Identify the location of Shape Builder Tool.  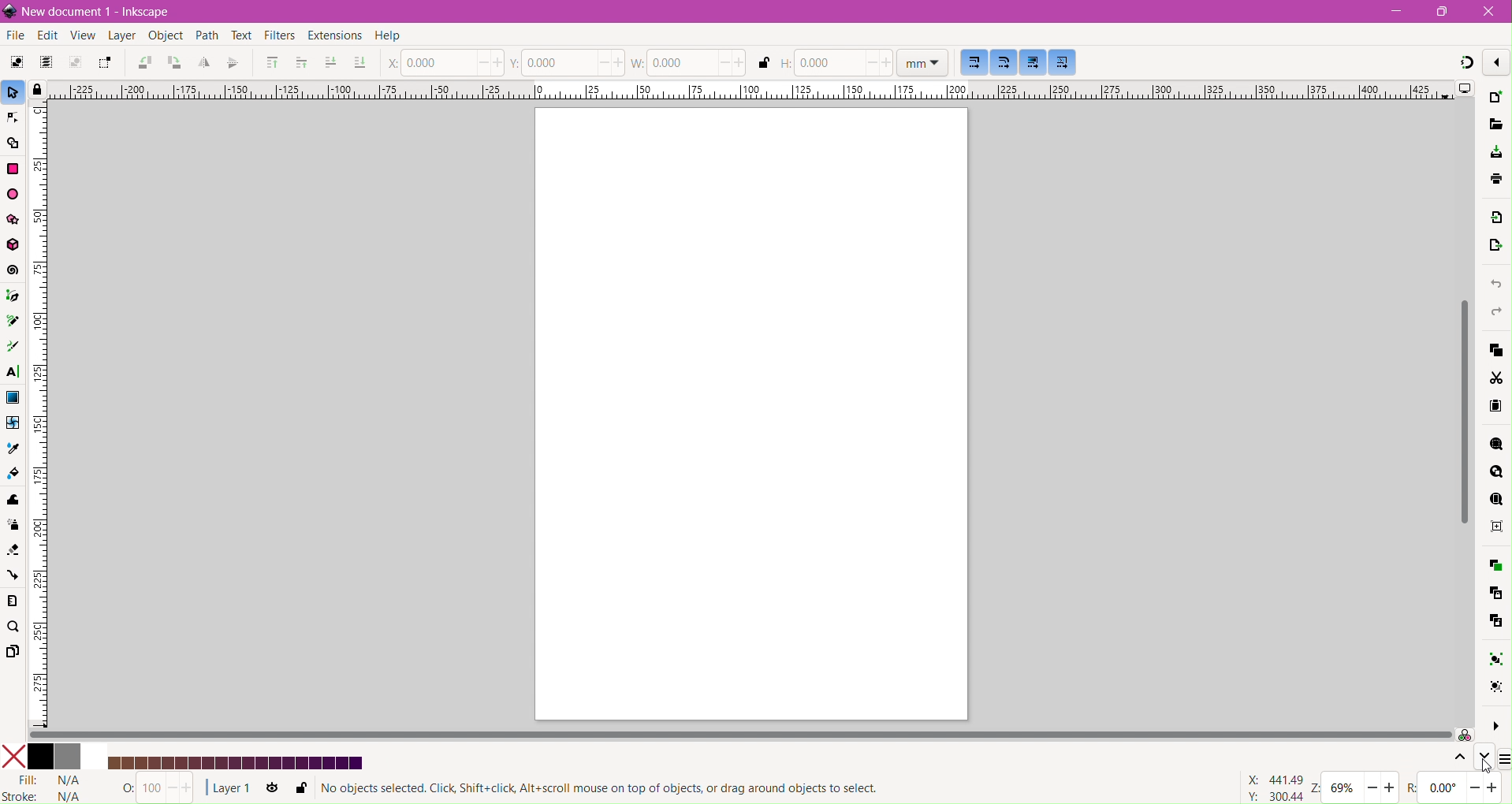
(13, 144).